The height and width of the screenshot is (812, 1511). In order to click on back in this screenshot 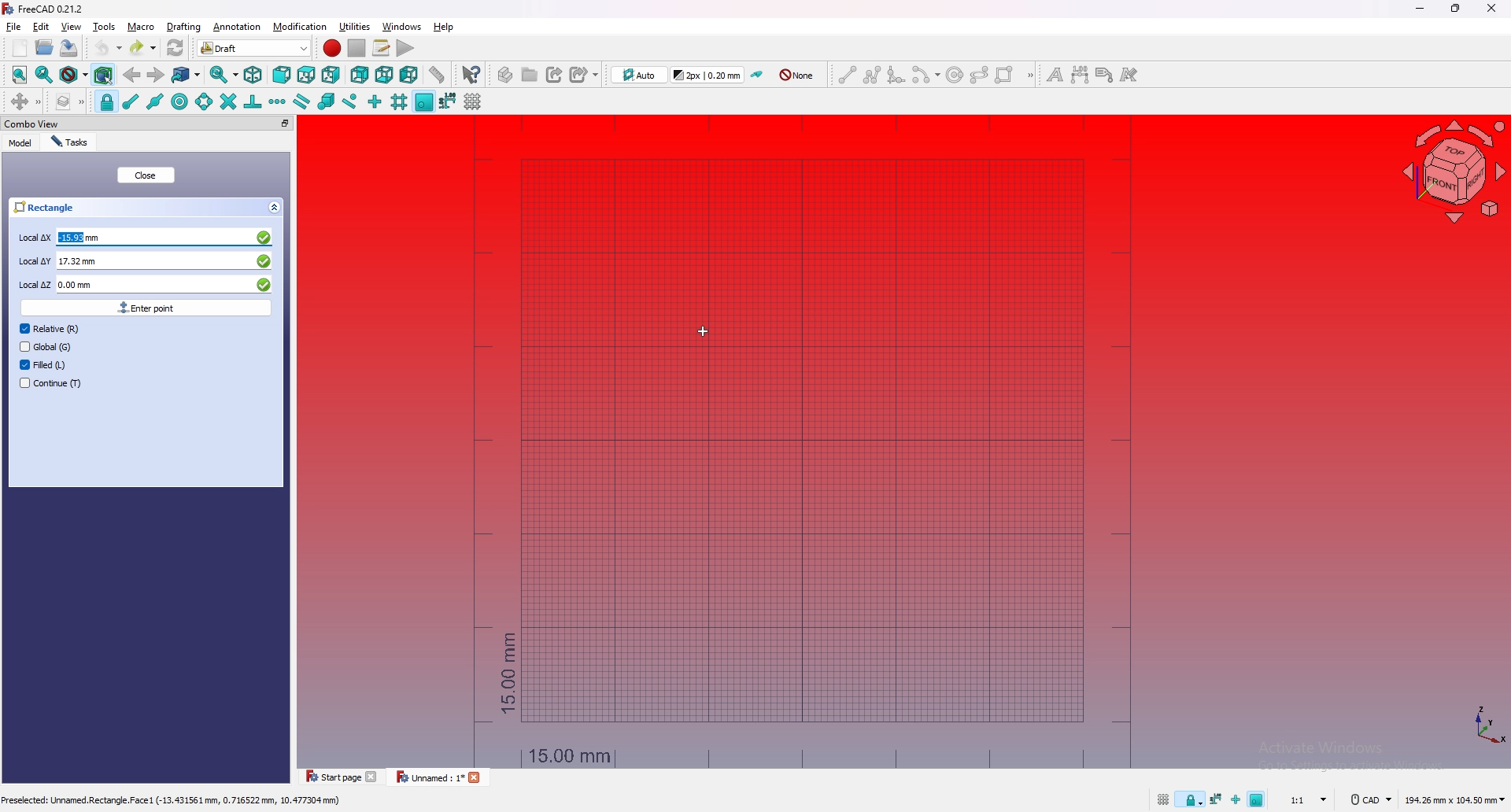, I will do `click(131, 75)`.